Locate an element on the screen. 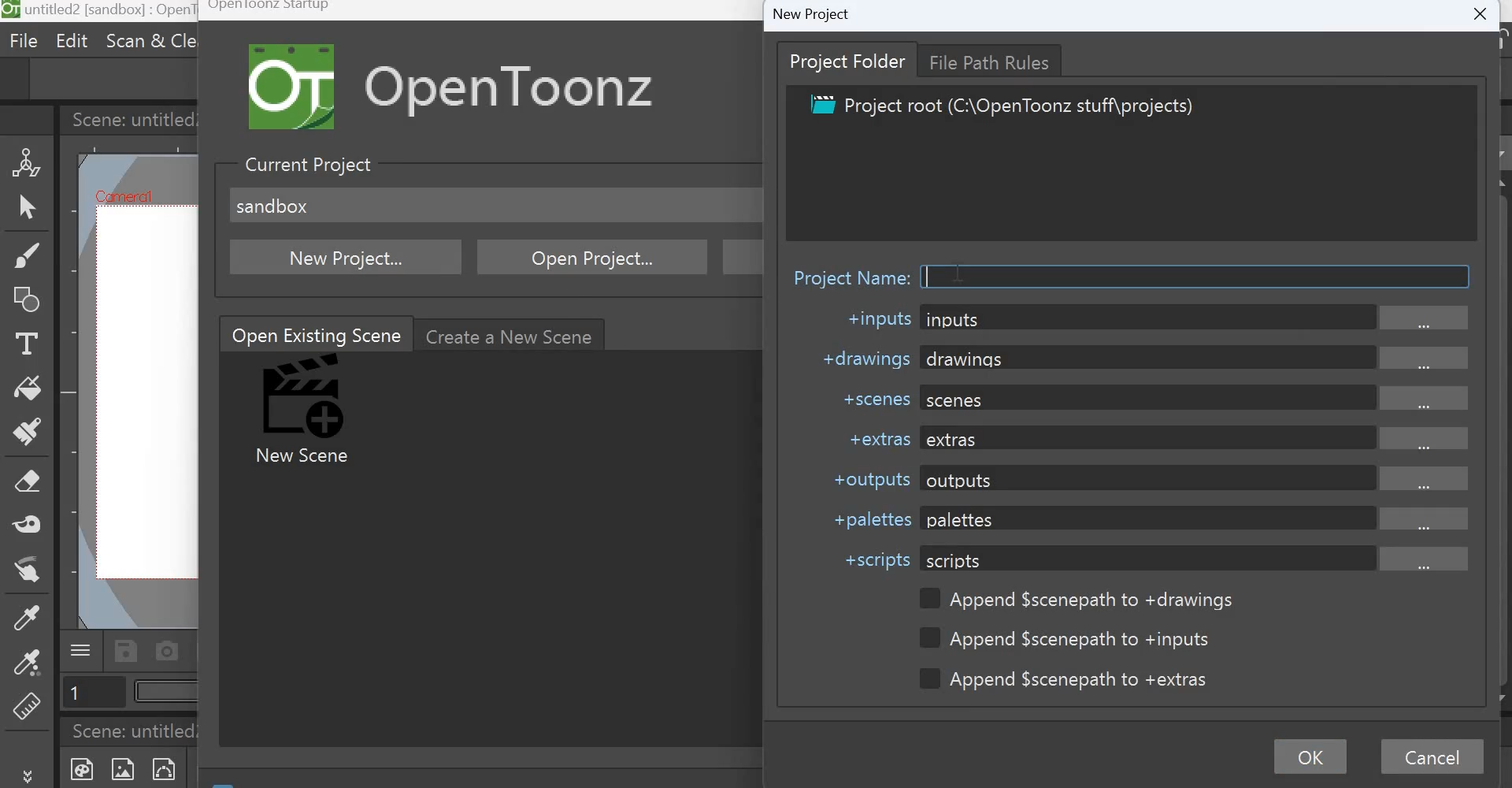 The image size is (1512, 788). New project is located at coordinates (347, 256).